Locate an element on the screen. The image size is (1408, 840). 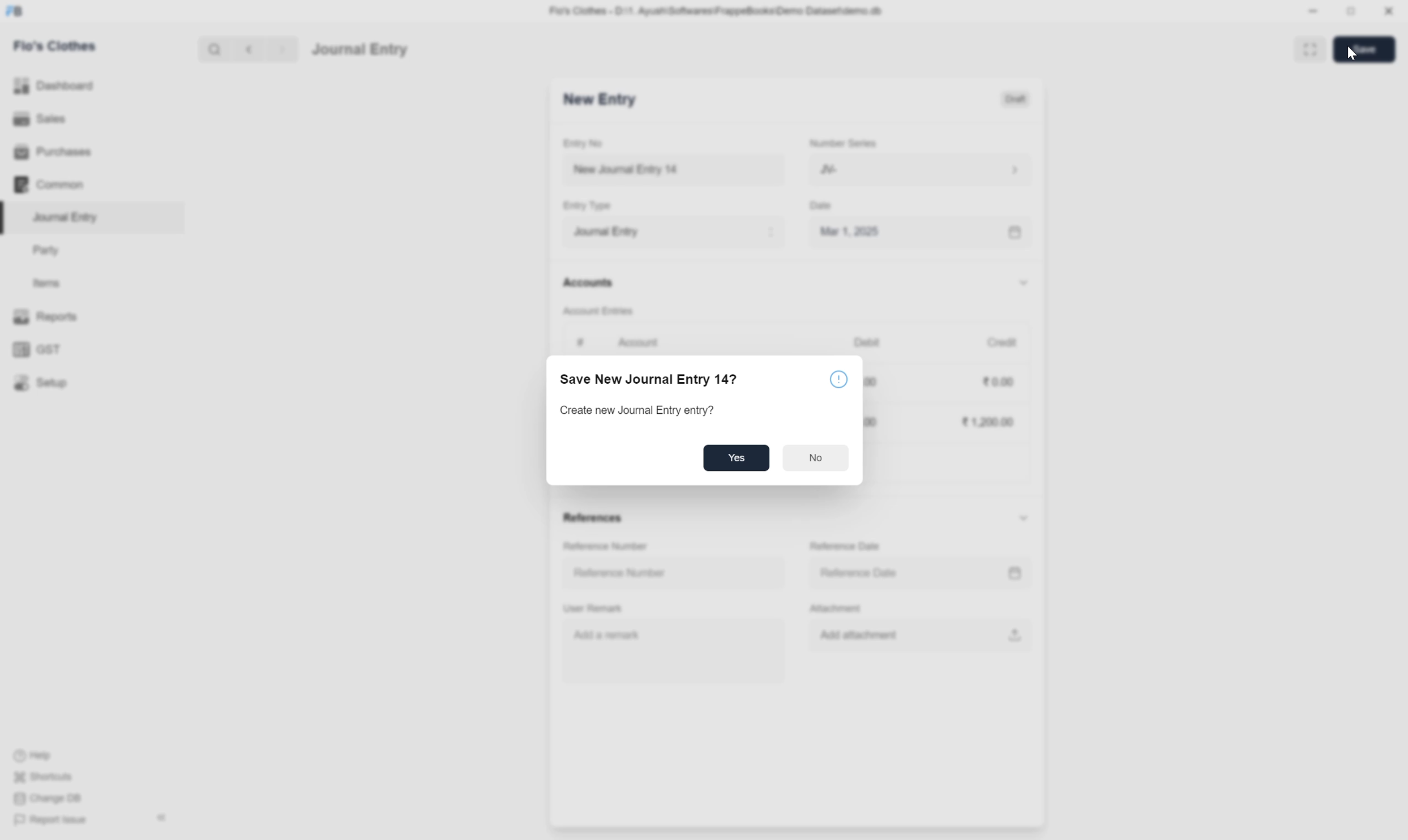
Date is located at coordinates (824, 206).